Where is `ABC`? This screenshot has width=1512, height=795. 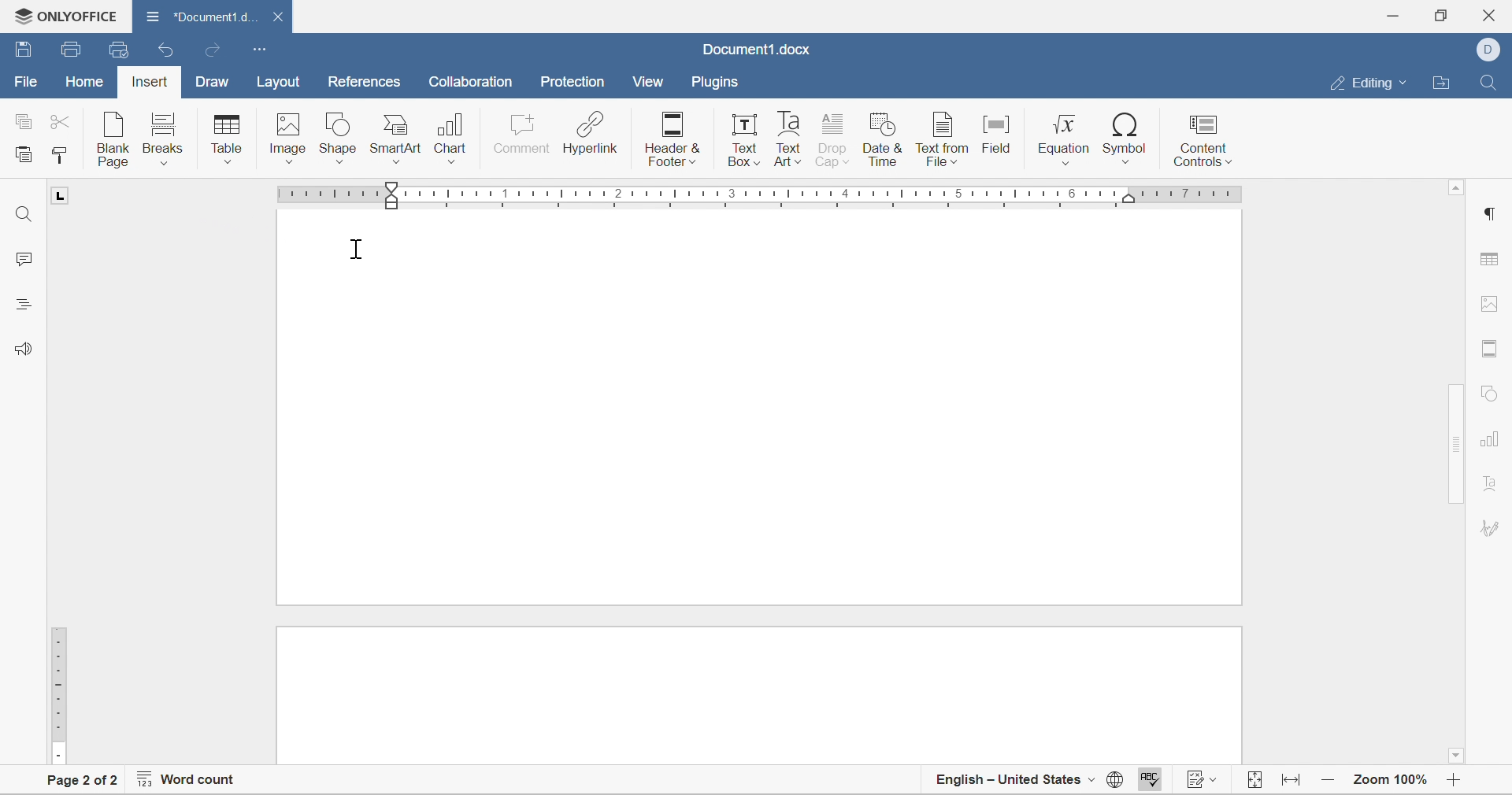
ABC is located at coordinates (1149, 782).